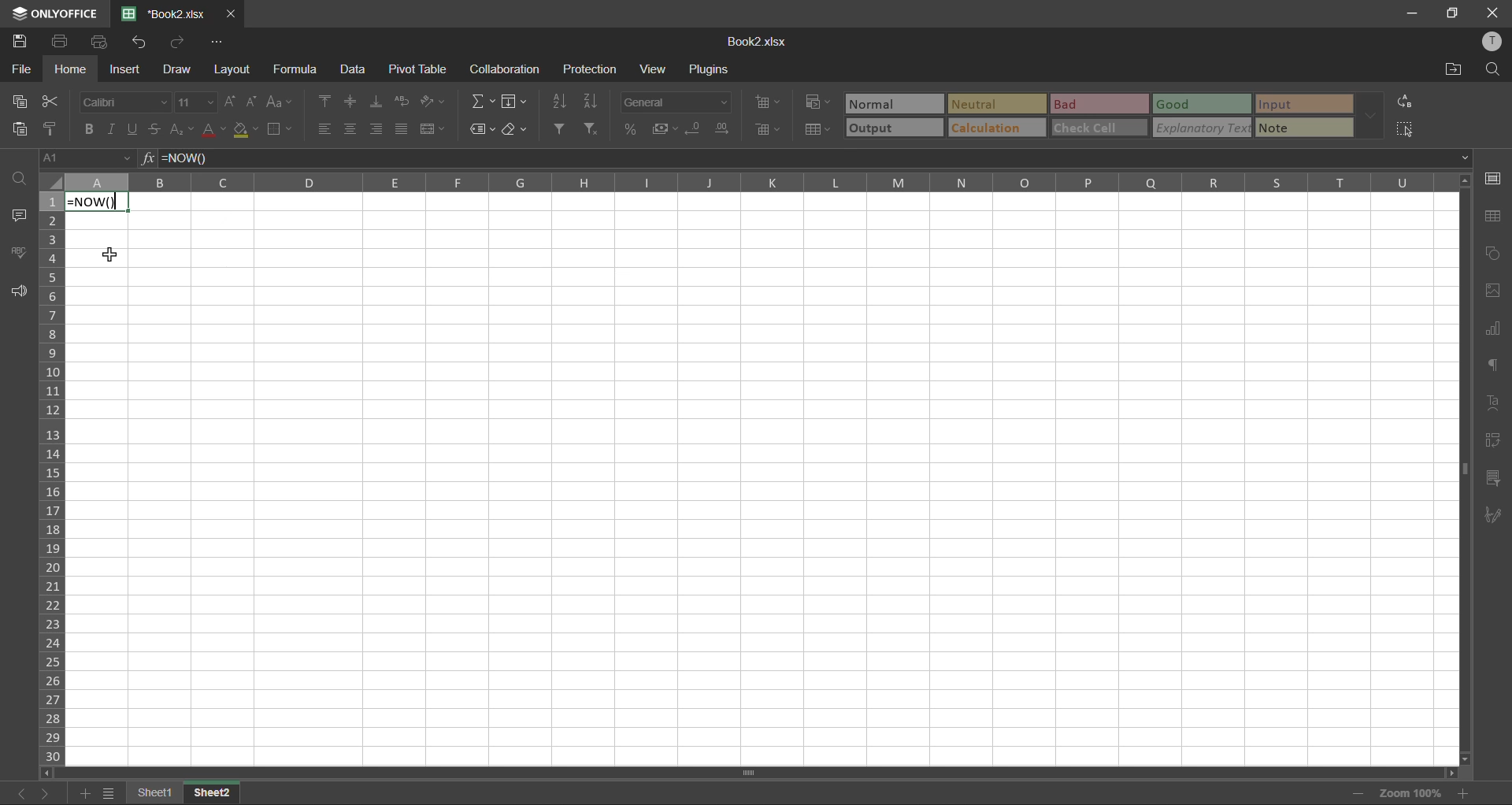 This screenshot has width=1512, height=805. What do you see at coordinates (1491, 440) in the screenshot?
I see `pivot table` at bounding box center [1491, 440].